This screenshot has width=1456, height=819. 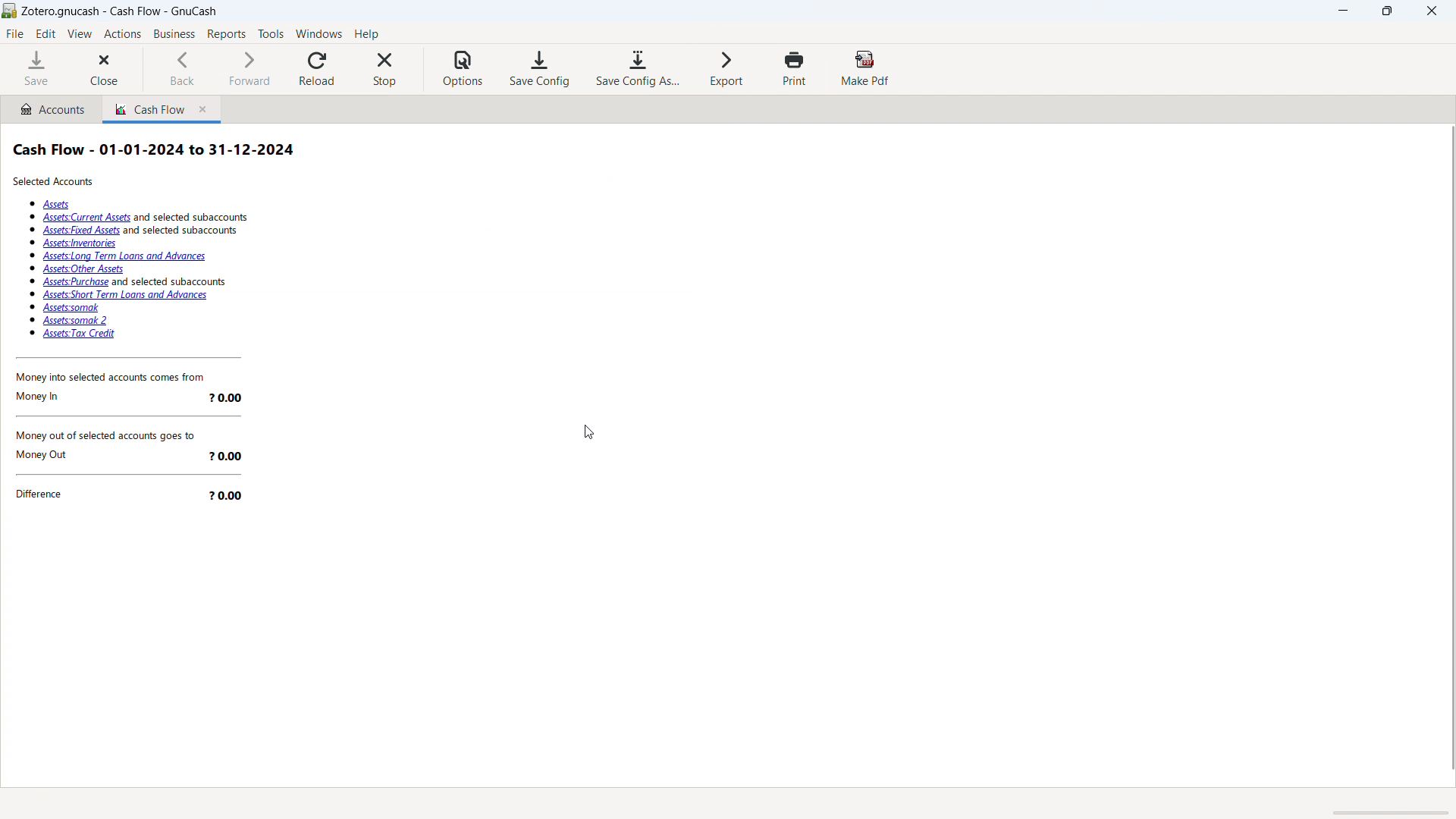 What do you see at coordinates (46, 33) in the screenshot?
I see `edit` at bounding box center [46, 33].